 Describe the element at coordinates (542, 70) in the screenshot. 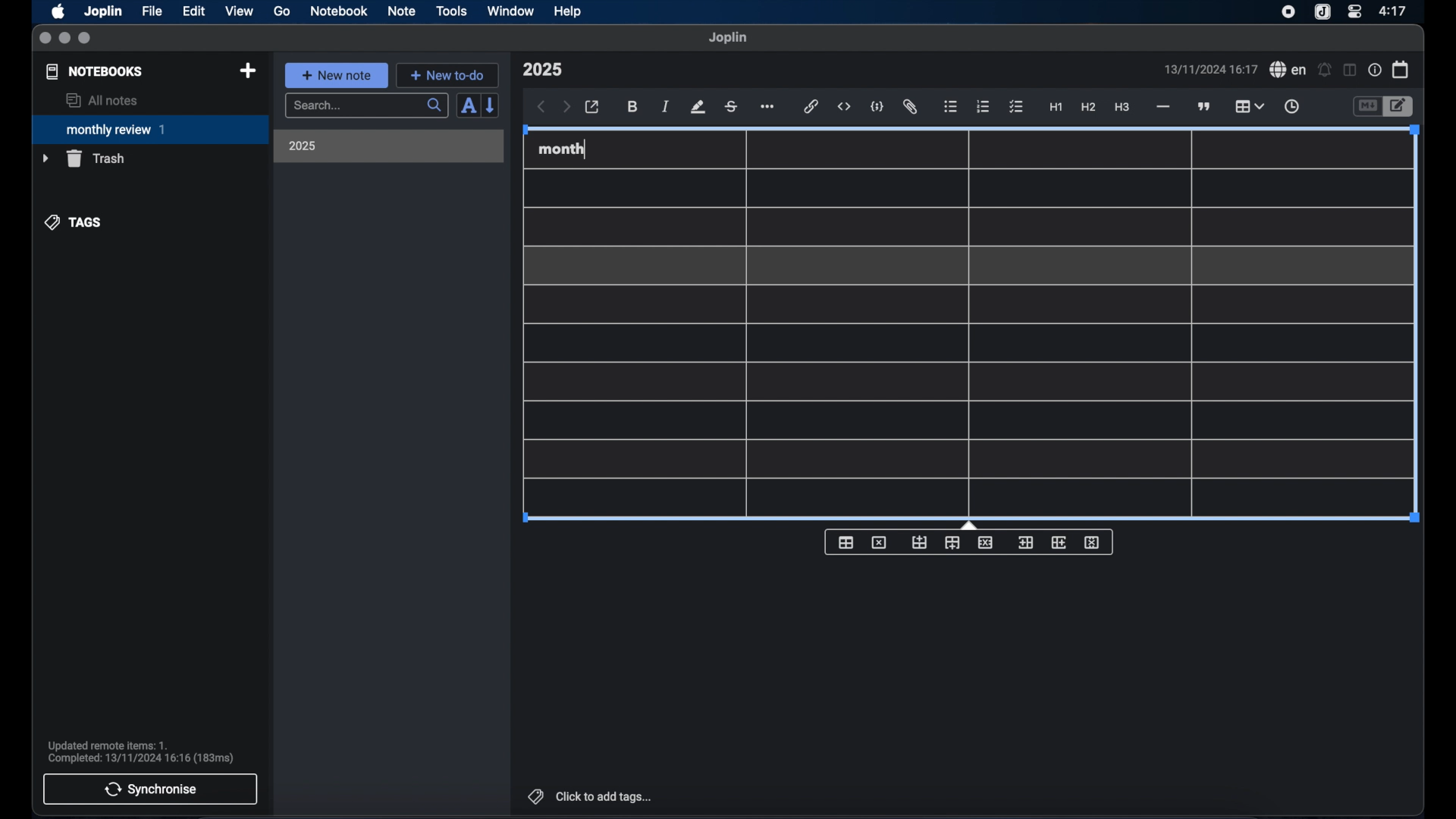

I see `note title` at that location.